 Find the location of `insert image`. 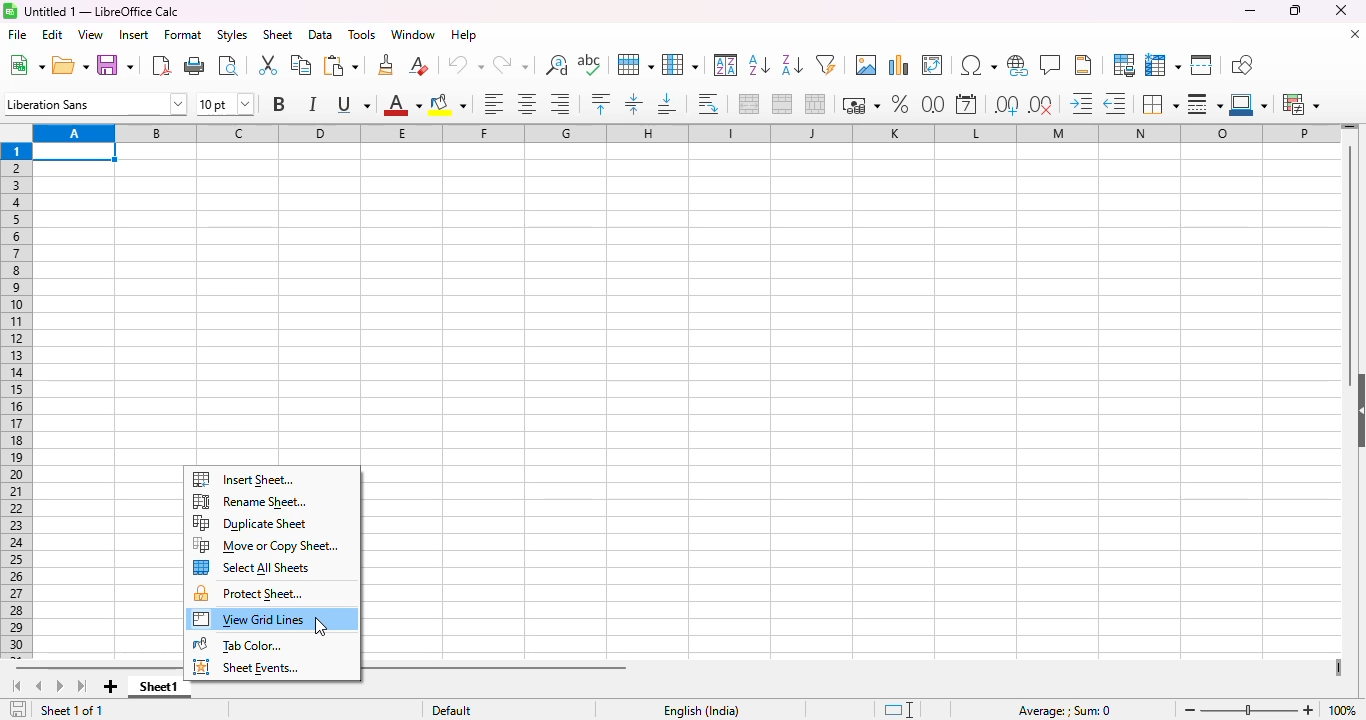

insert image is located at coordinates (867, 64).